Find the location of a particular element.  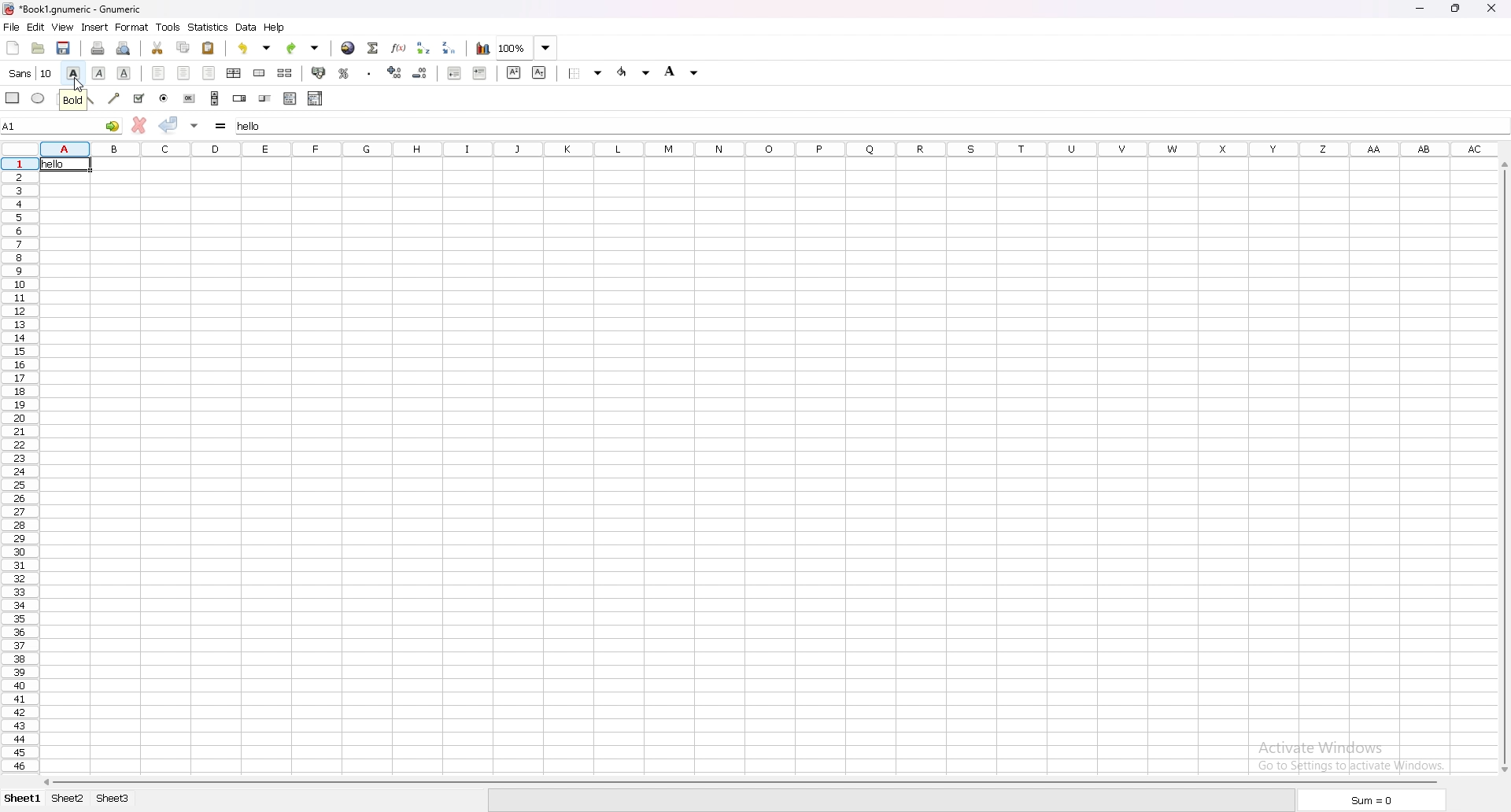

redo is located at coordinates (303, 48).